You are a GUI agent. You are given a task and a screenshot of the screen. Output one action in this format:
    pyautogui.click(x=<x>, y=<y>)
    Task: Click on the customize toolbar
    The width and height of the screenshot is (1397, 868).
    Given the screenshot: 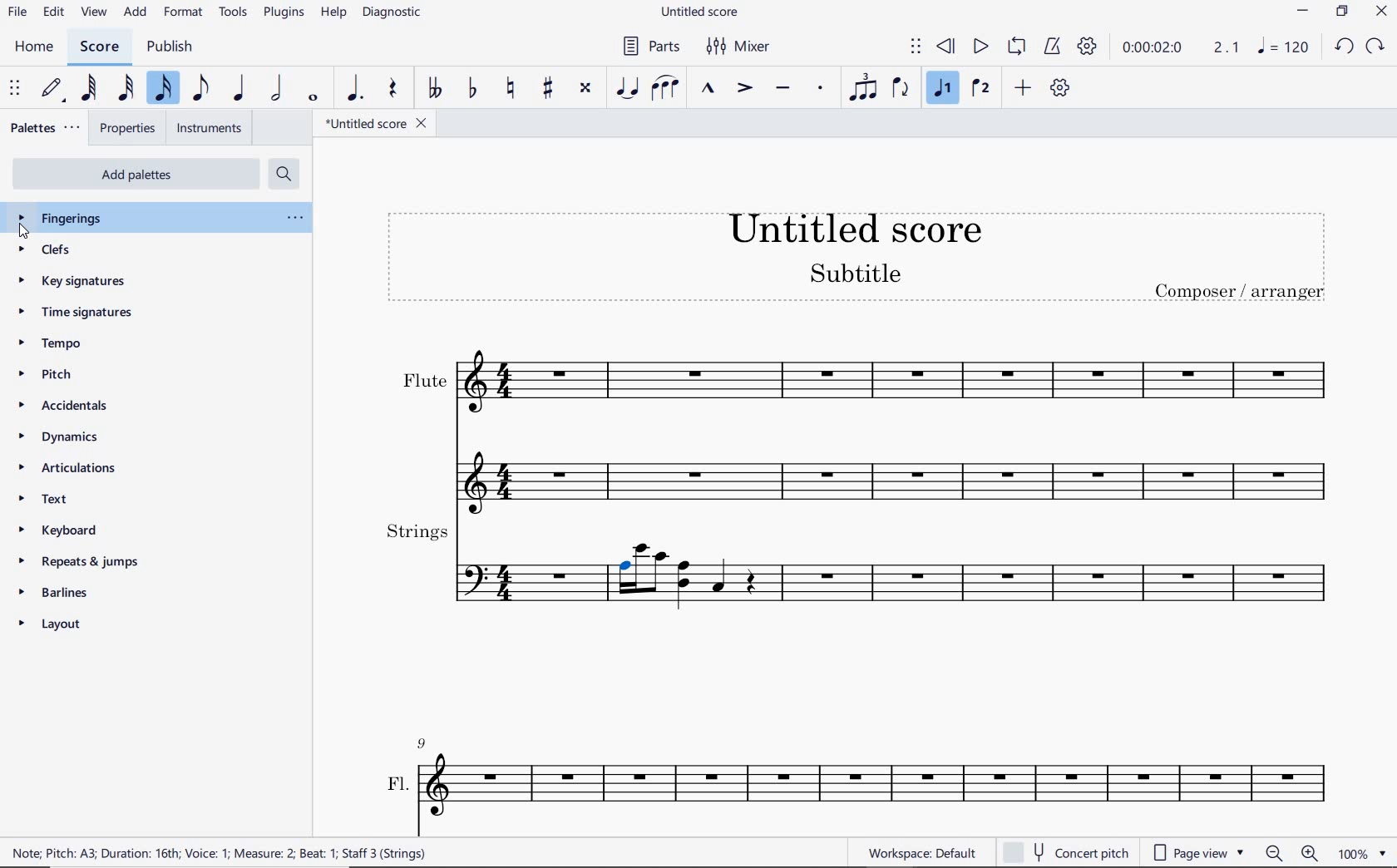 What is the action you would take?
    pyautogui.click(x=1061, y=89)
    